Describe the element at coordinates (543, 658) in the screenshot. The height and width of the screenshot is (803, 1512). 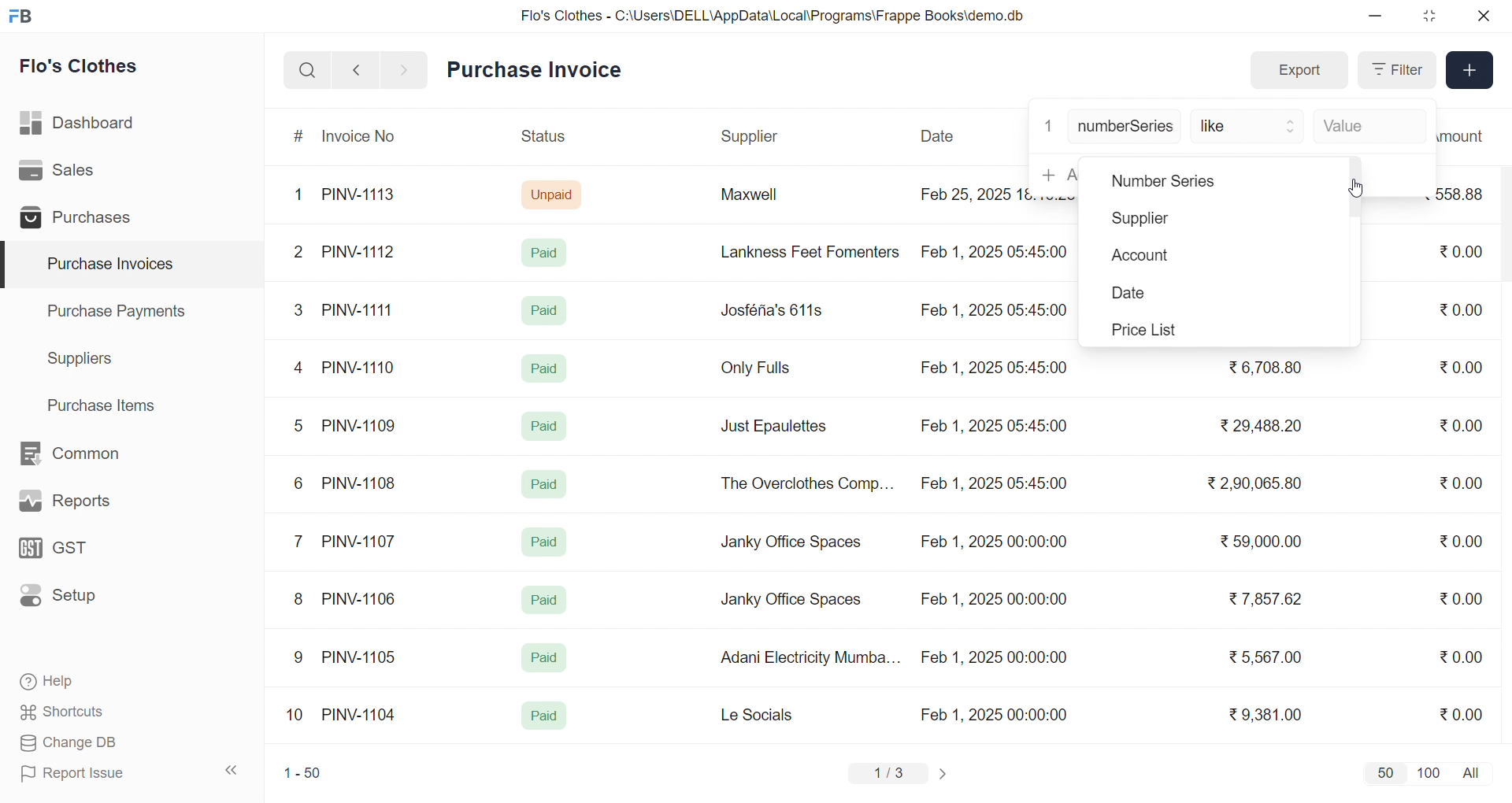
I see `Paid` at that location.